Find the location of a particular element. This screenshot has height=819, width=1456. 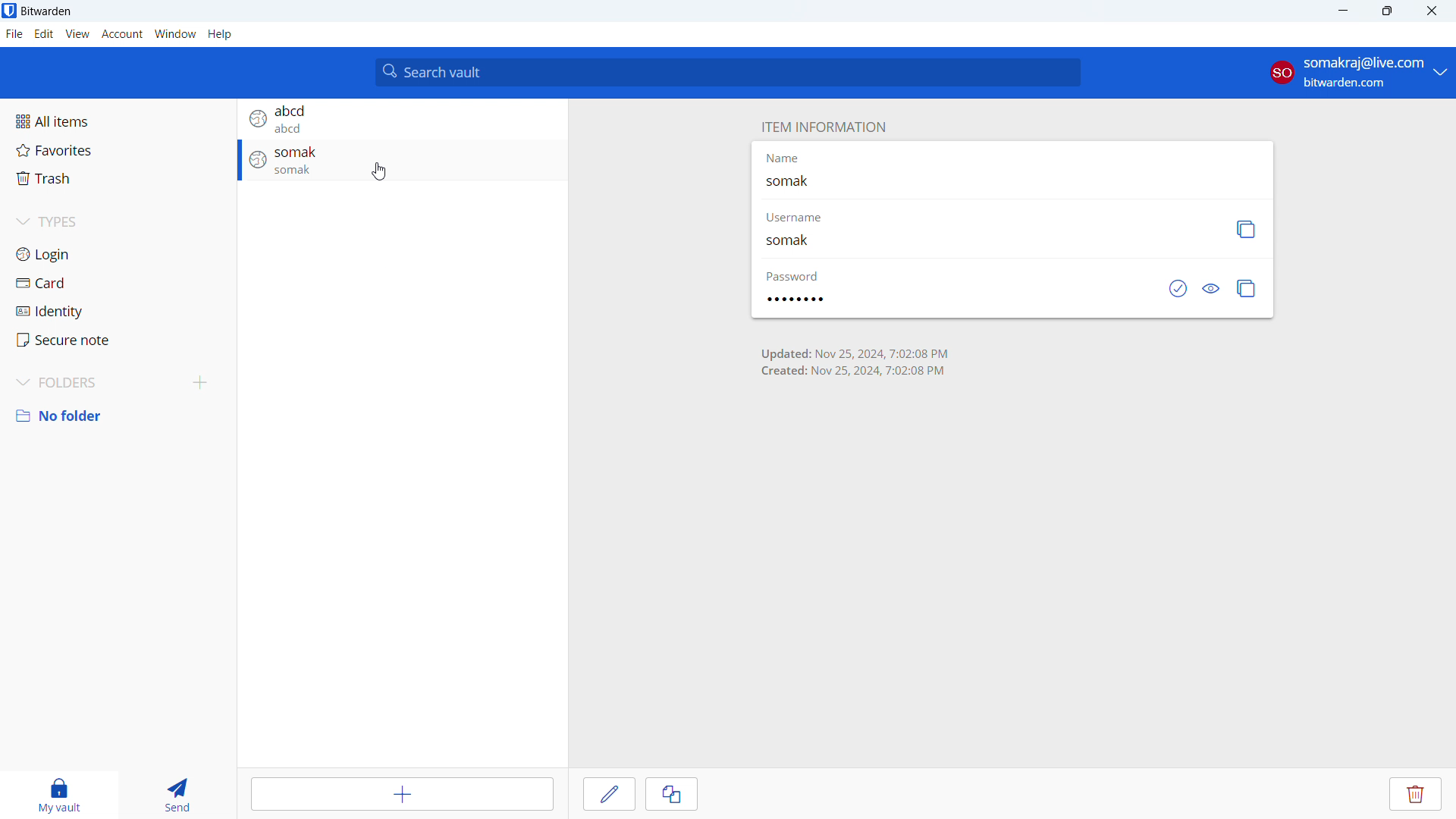

login entry with name somak is located at coordinates (402, 161).